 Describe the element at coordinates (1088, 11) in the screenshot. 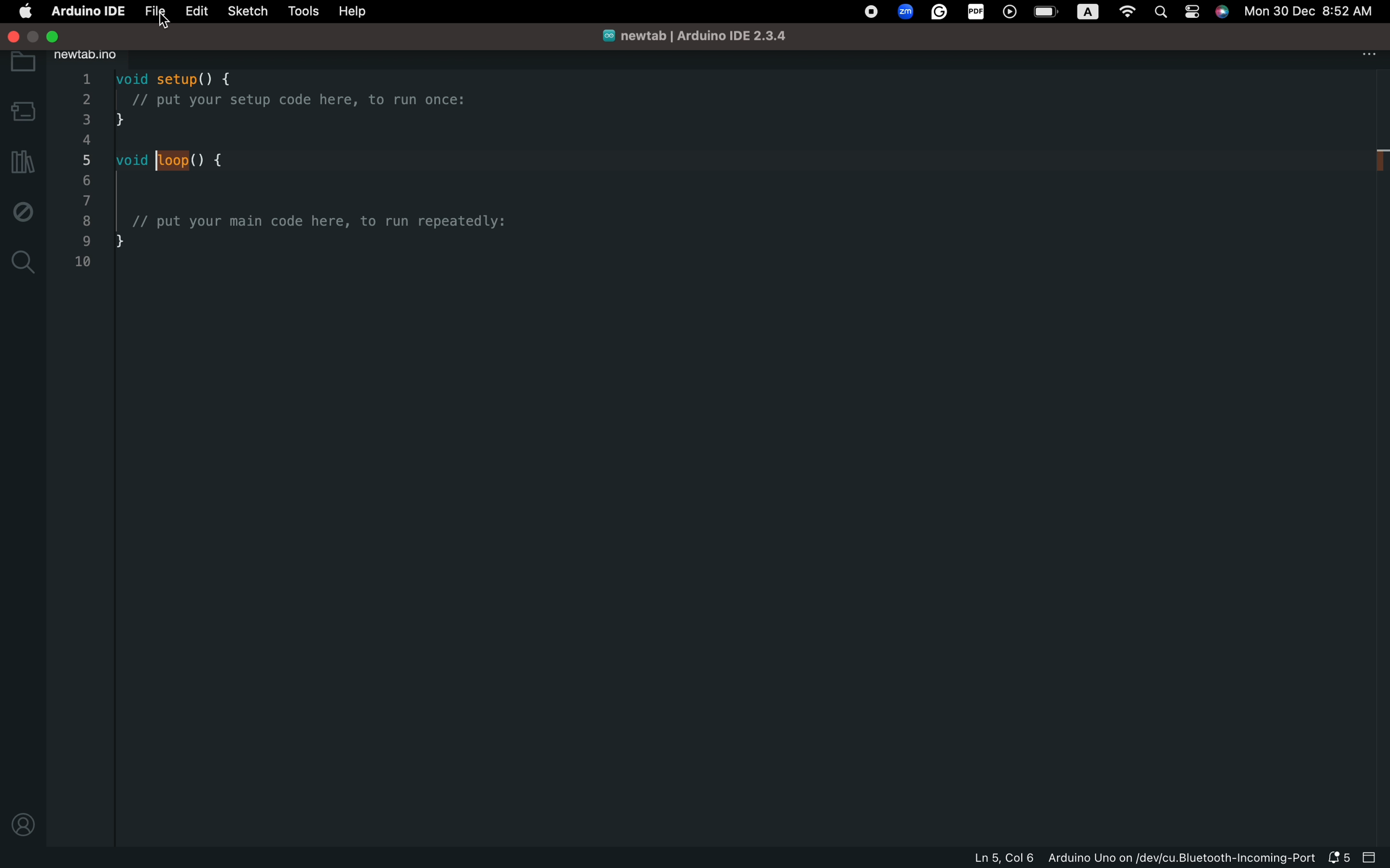

I see `a logo` at that location.